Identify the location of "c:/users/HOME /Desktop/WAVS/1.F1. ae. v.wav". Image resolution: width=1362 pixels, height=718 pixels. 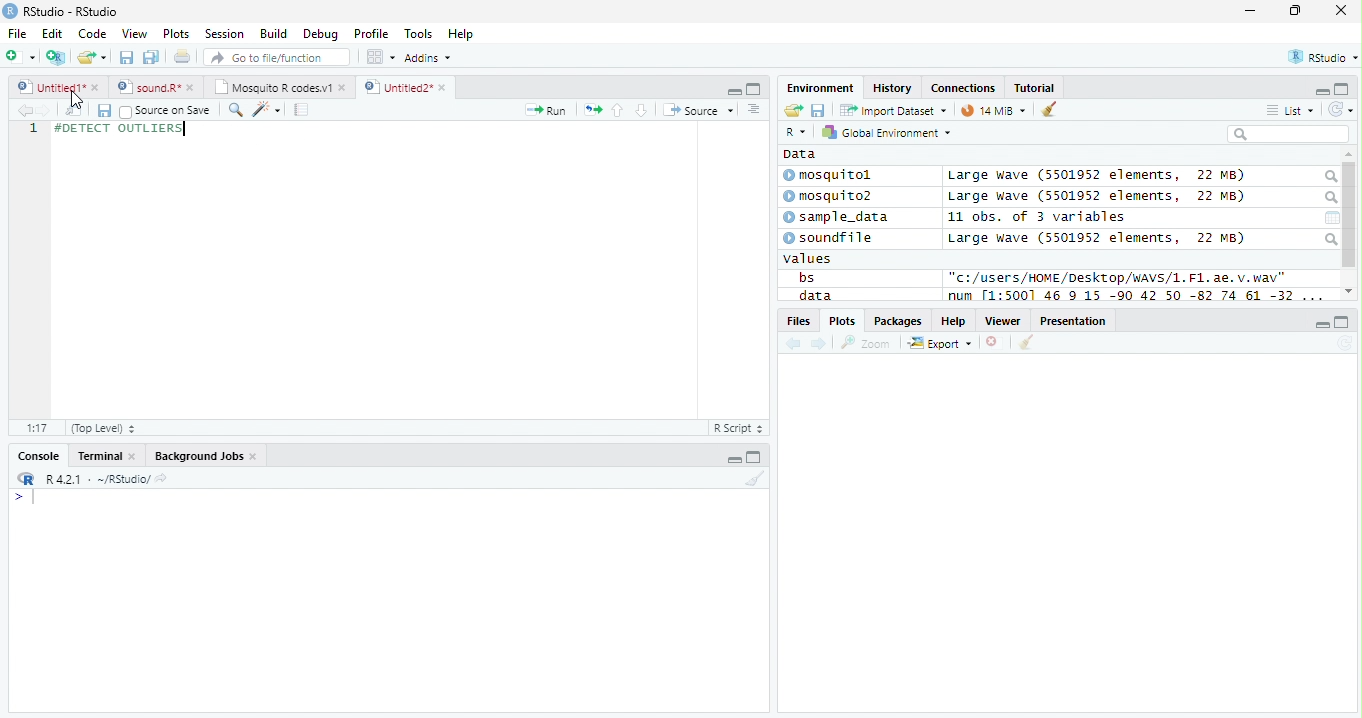
(1118, 277).